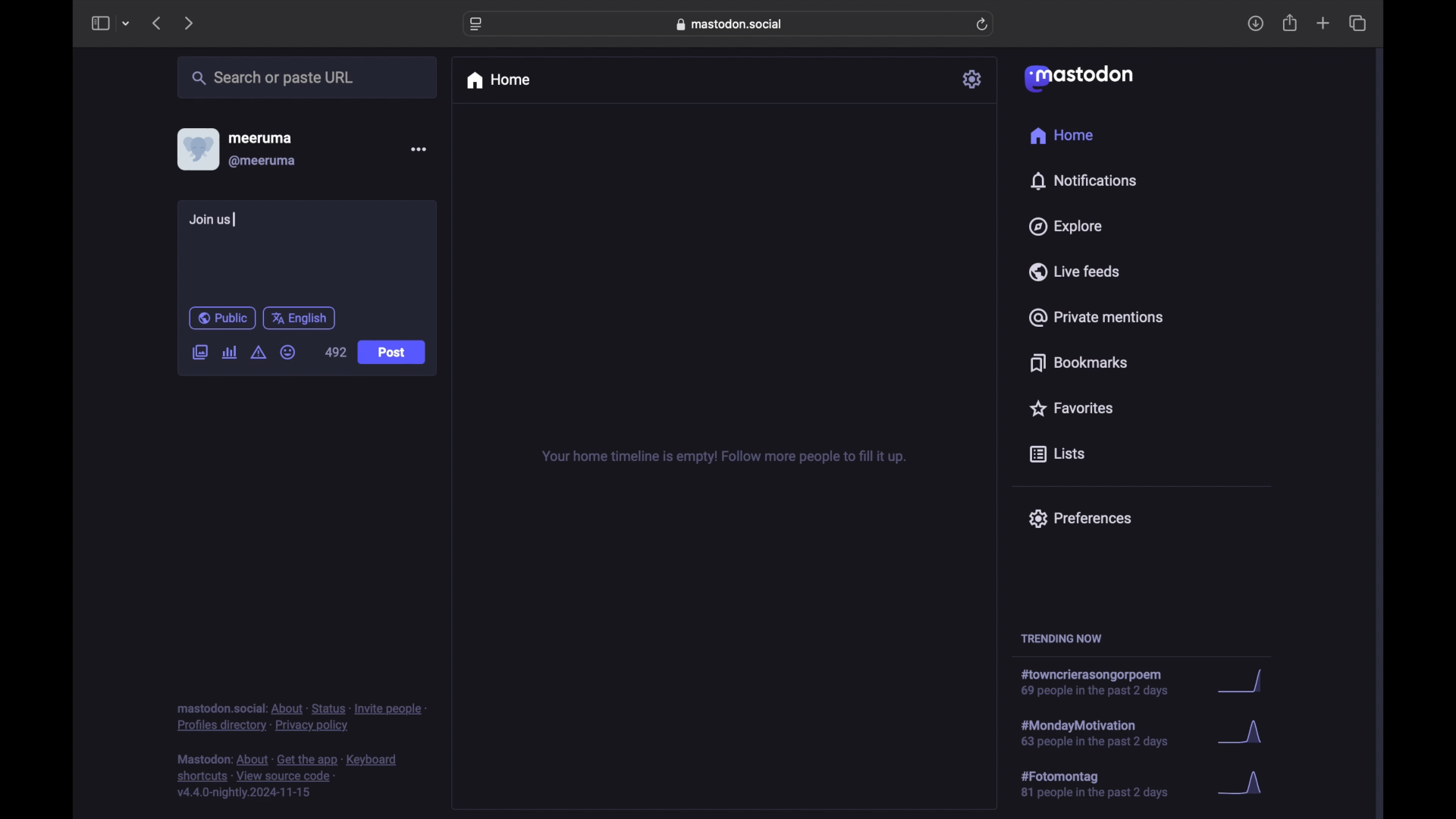  Describe the element at coordinates (290, 777) in the screenshot. I see `footnote` at that location.